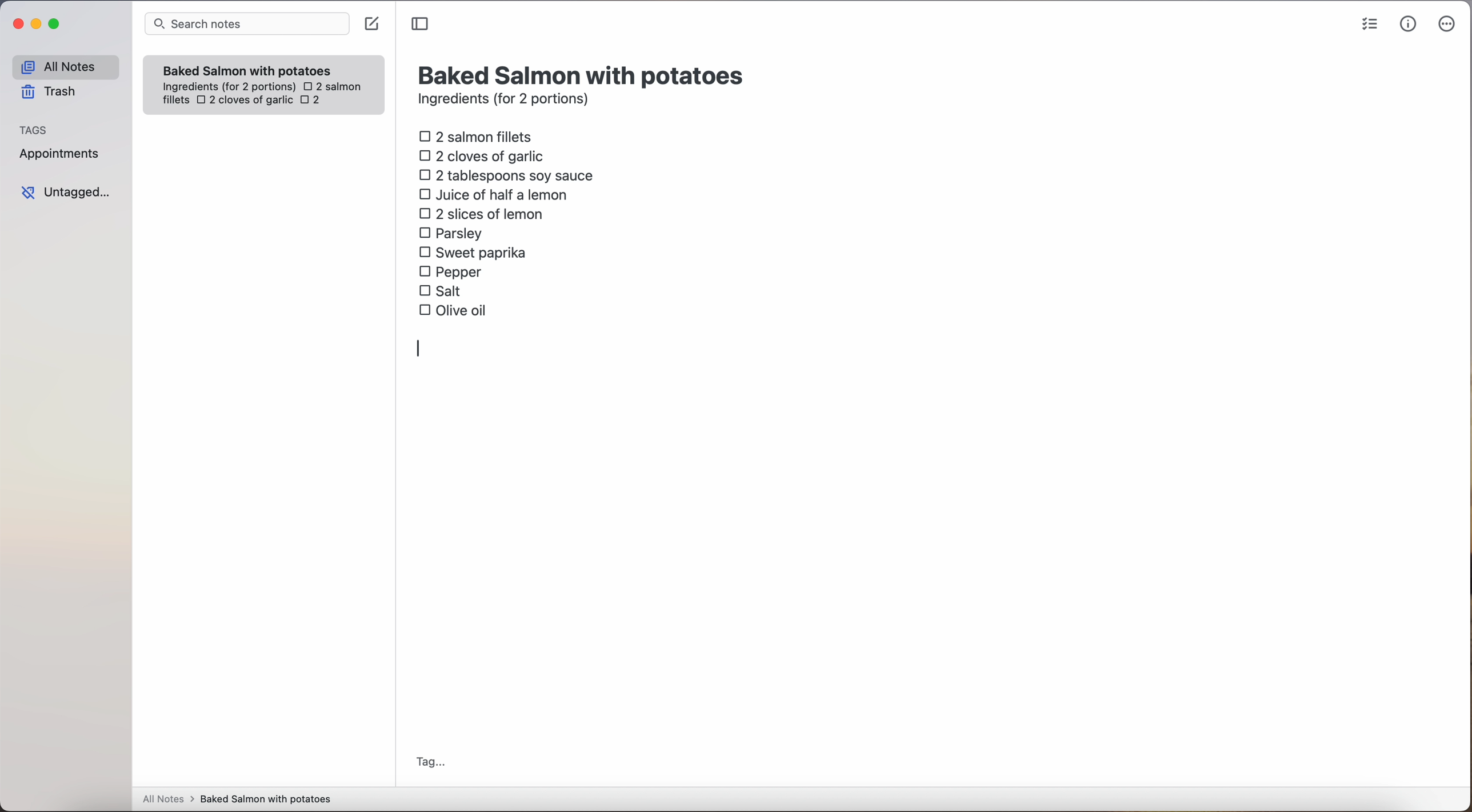  Describe the element at coordinates (61, 151) in the screenshot. I see `appointments tag` at that location.